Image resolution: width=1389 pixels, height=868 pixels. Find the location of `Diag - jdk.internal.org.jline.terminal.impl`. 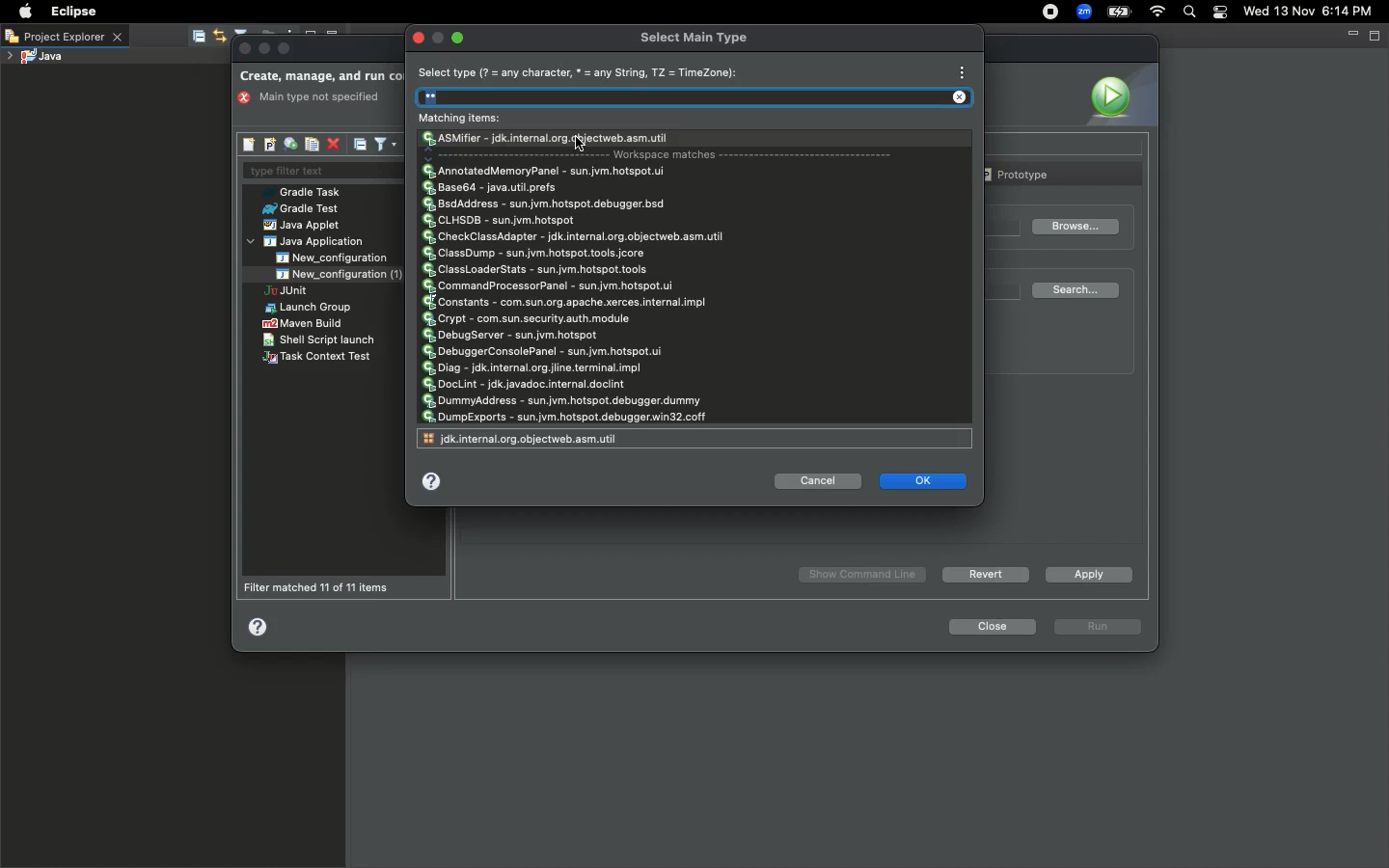

Diag - jdk.internal.org.jline.terminal.impl is located at coordinates (534, 368).